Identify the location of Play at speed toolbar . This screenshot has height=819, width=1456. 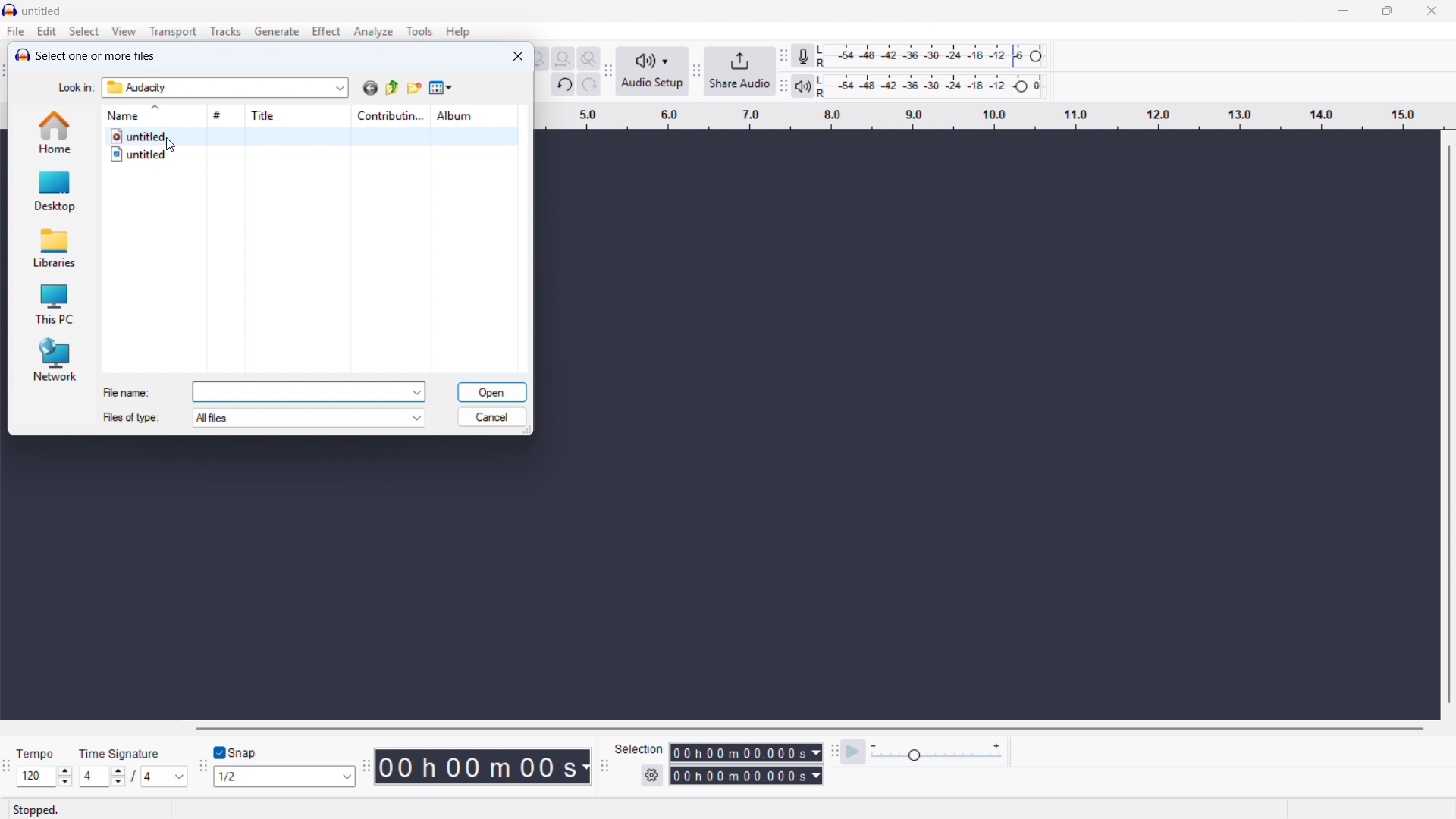
(833, 750).